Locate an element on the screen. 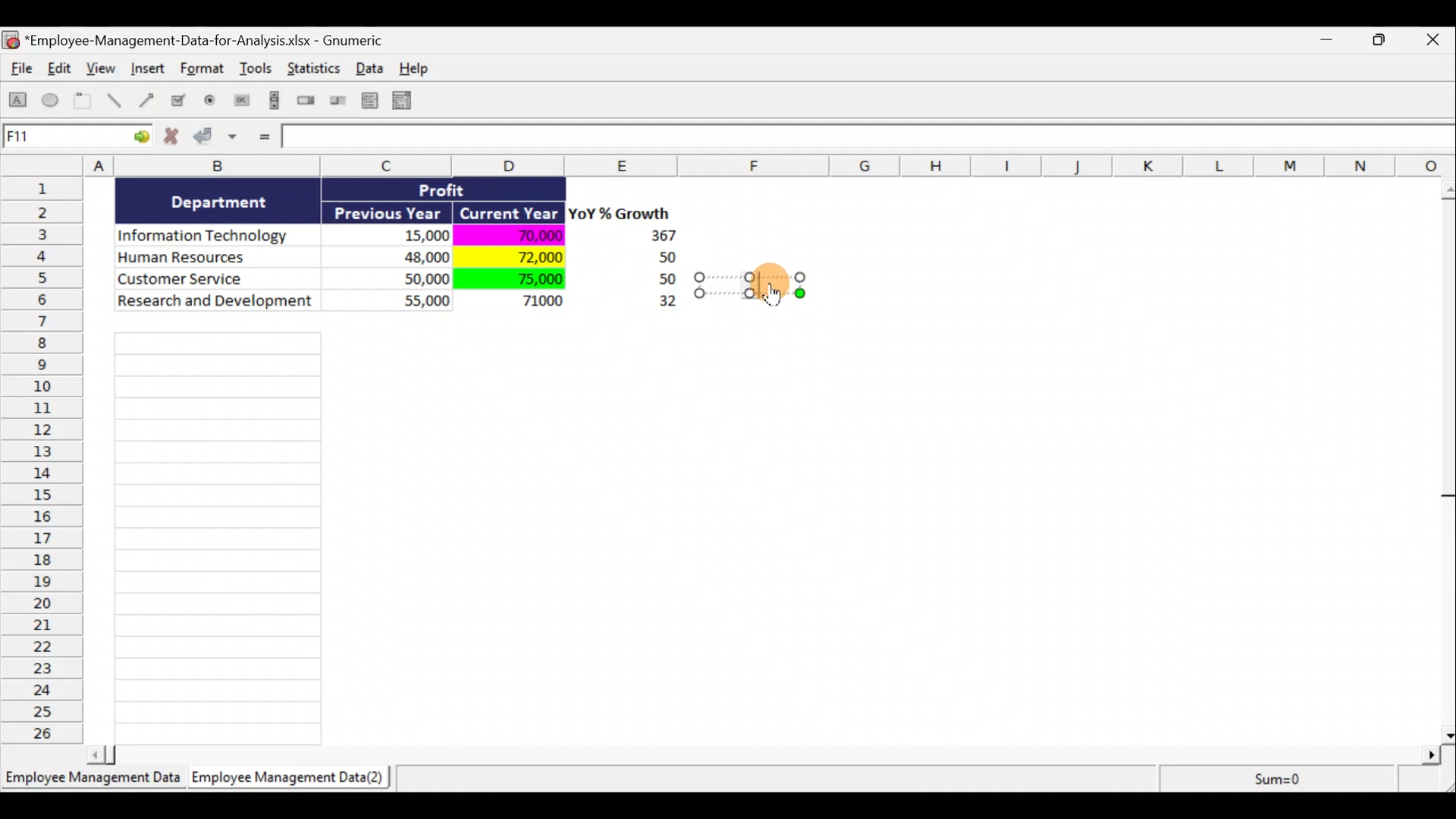  Close is located at coordinates (1436, 41).